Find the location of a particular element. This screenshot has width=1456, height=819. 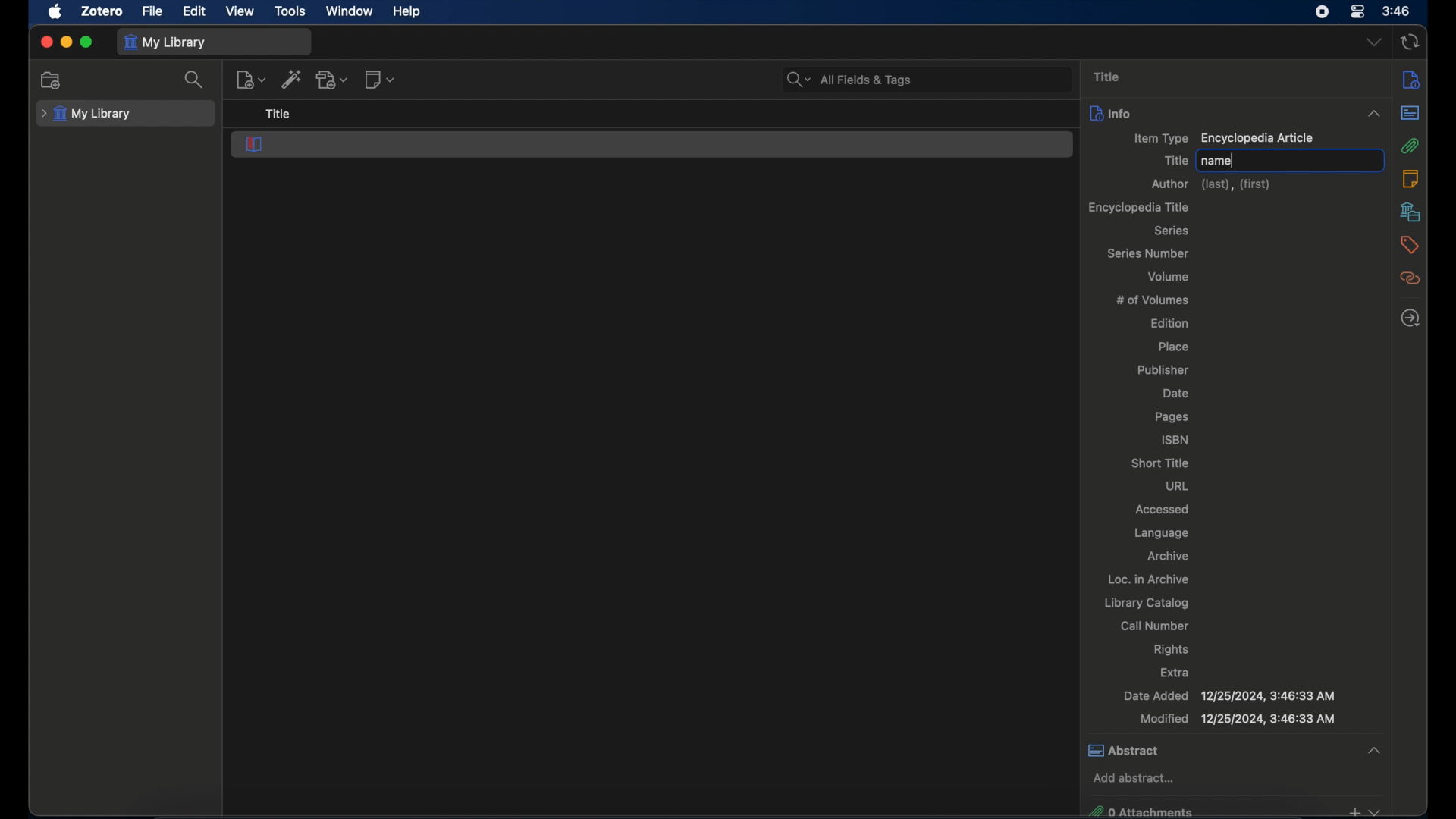

series is located at coordinates (1172, 231).